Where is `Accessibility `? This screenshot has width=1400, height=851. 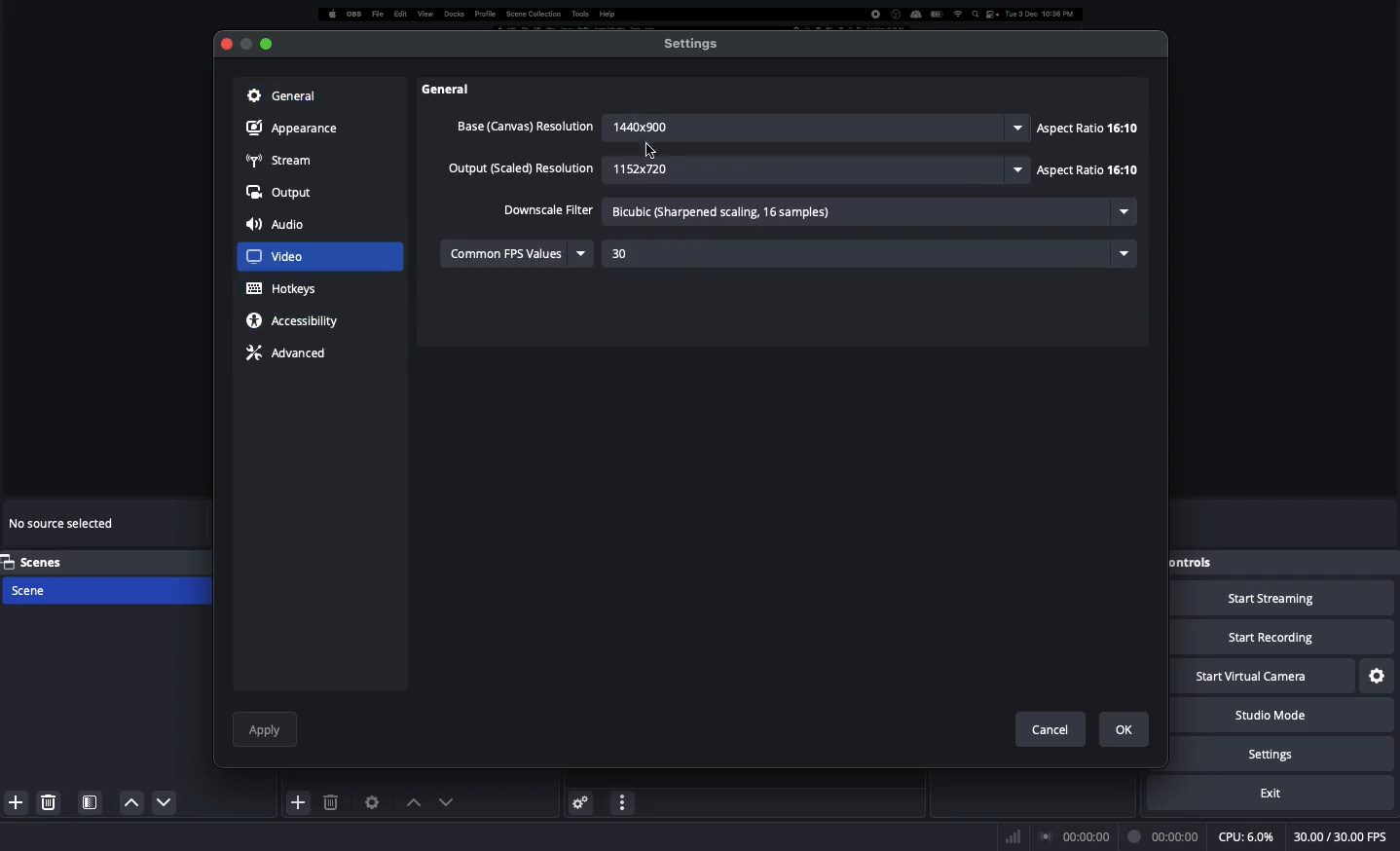 Accessibility  is located at coordinates (298, 320).